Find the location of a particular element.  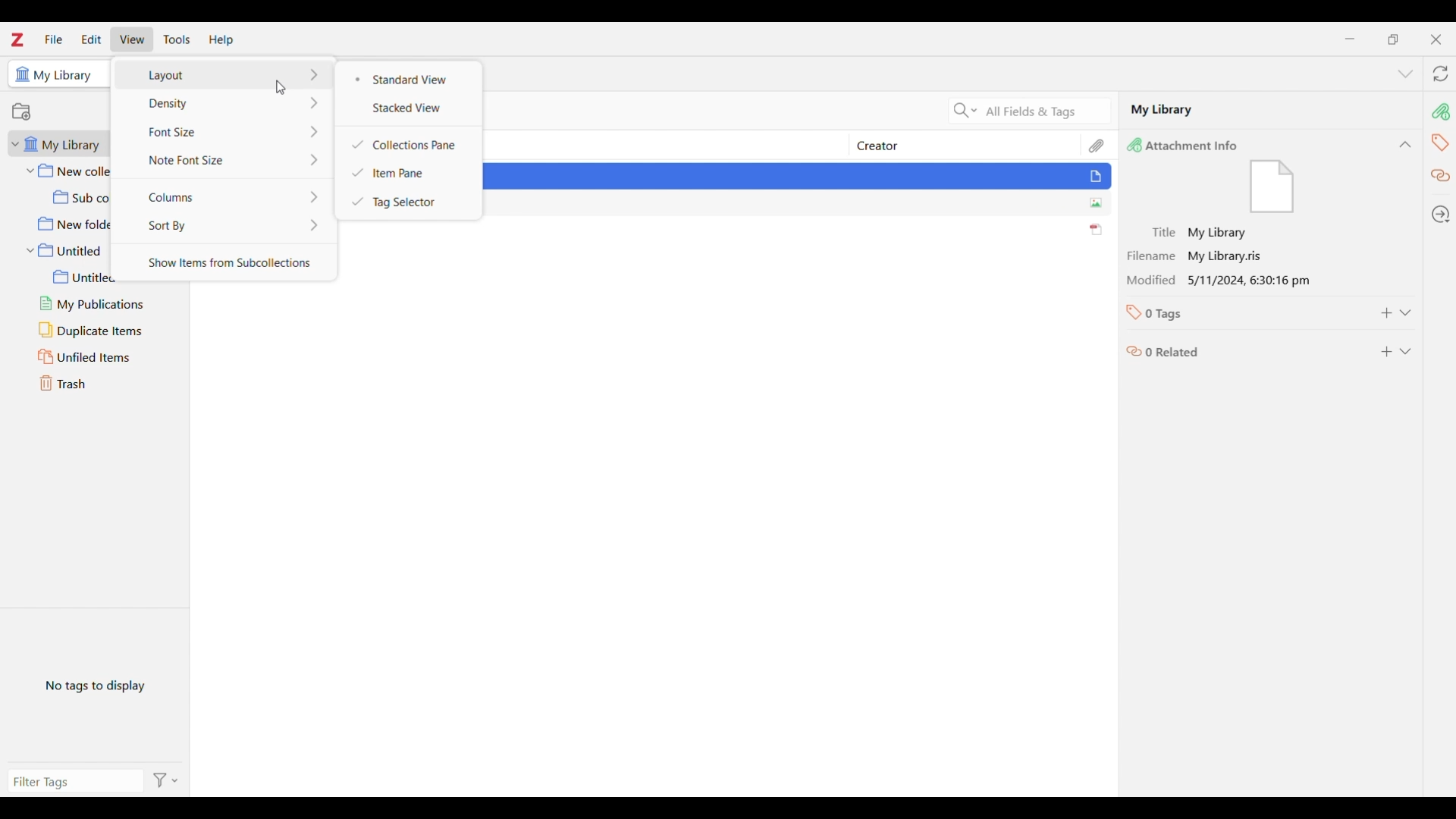

Trash folder is located at coordinates (96, 383).